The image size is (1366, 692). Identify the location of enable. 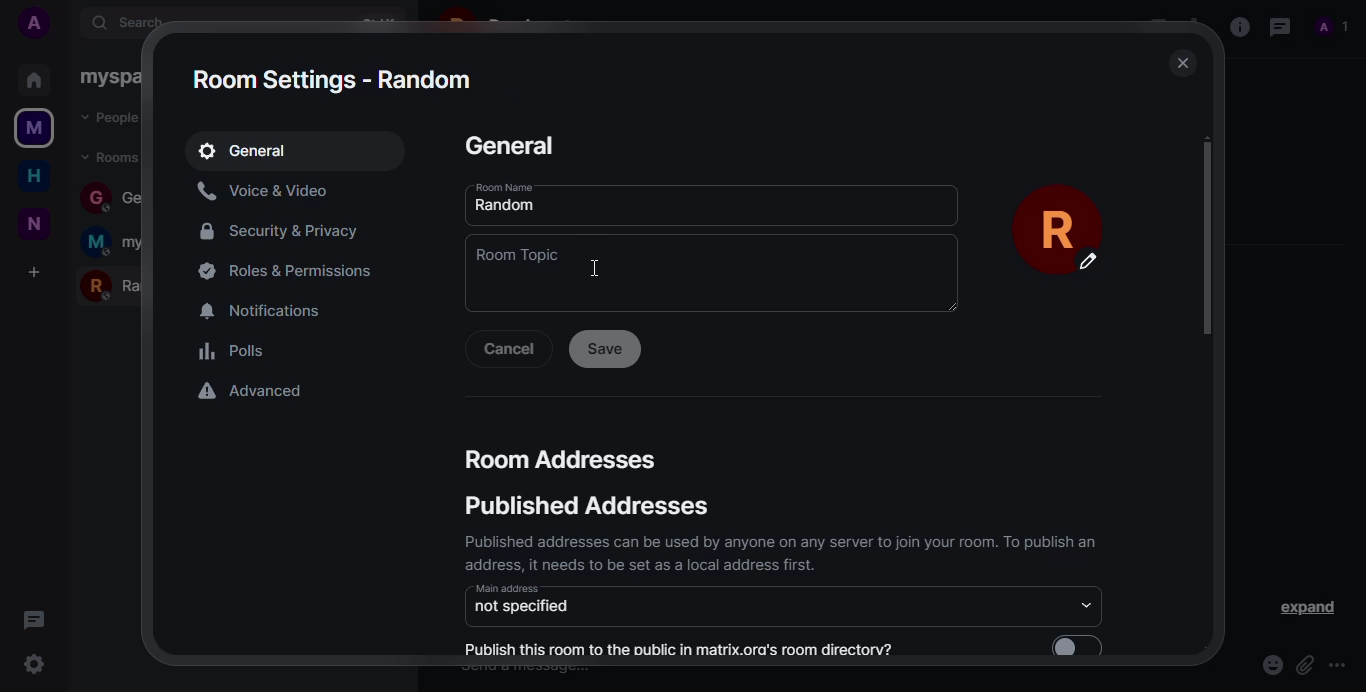
(1082, 646).